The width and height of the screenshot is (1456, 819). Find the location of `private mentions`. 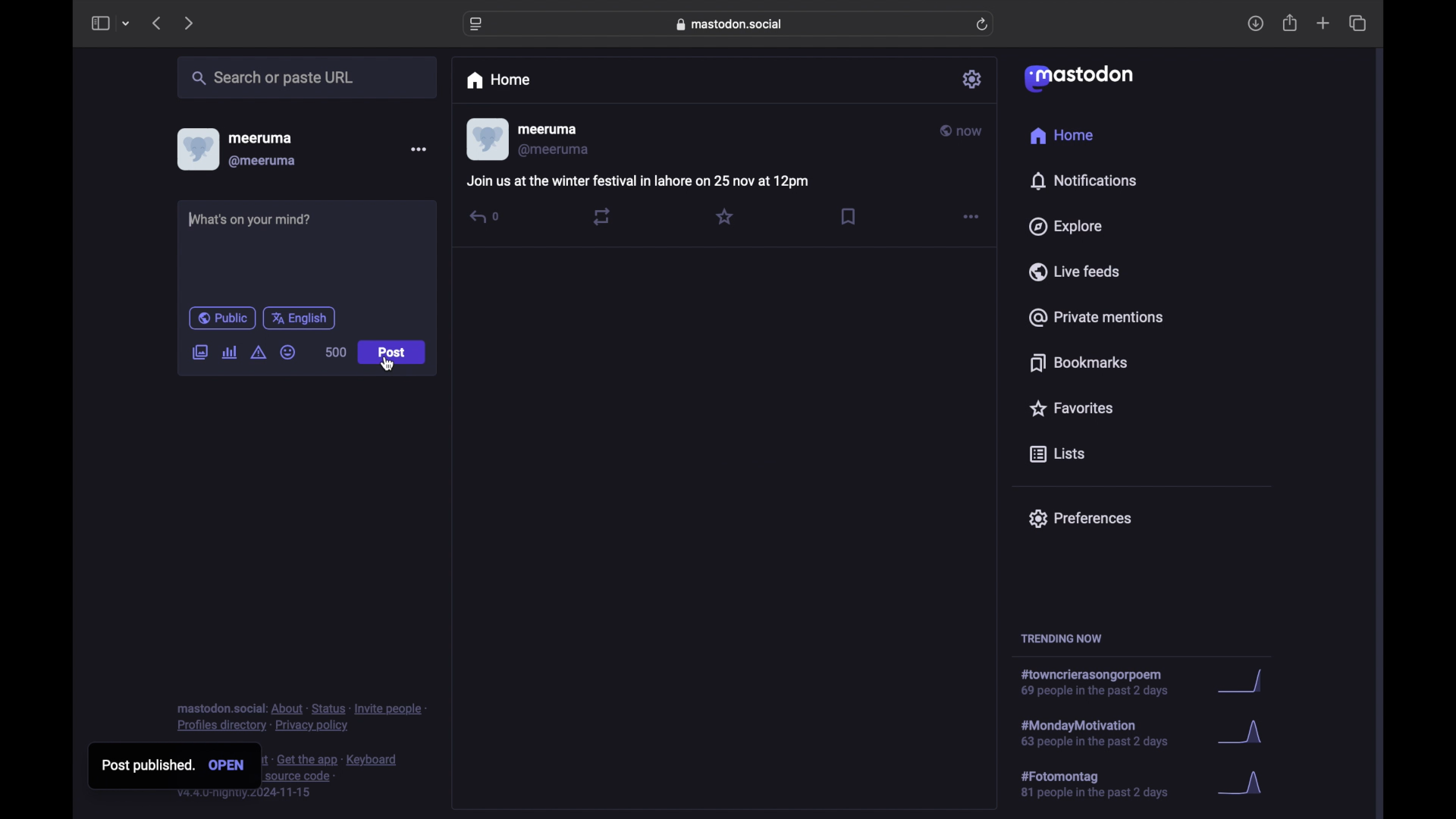

private mentions is located at coordinates (1097, 317).